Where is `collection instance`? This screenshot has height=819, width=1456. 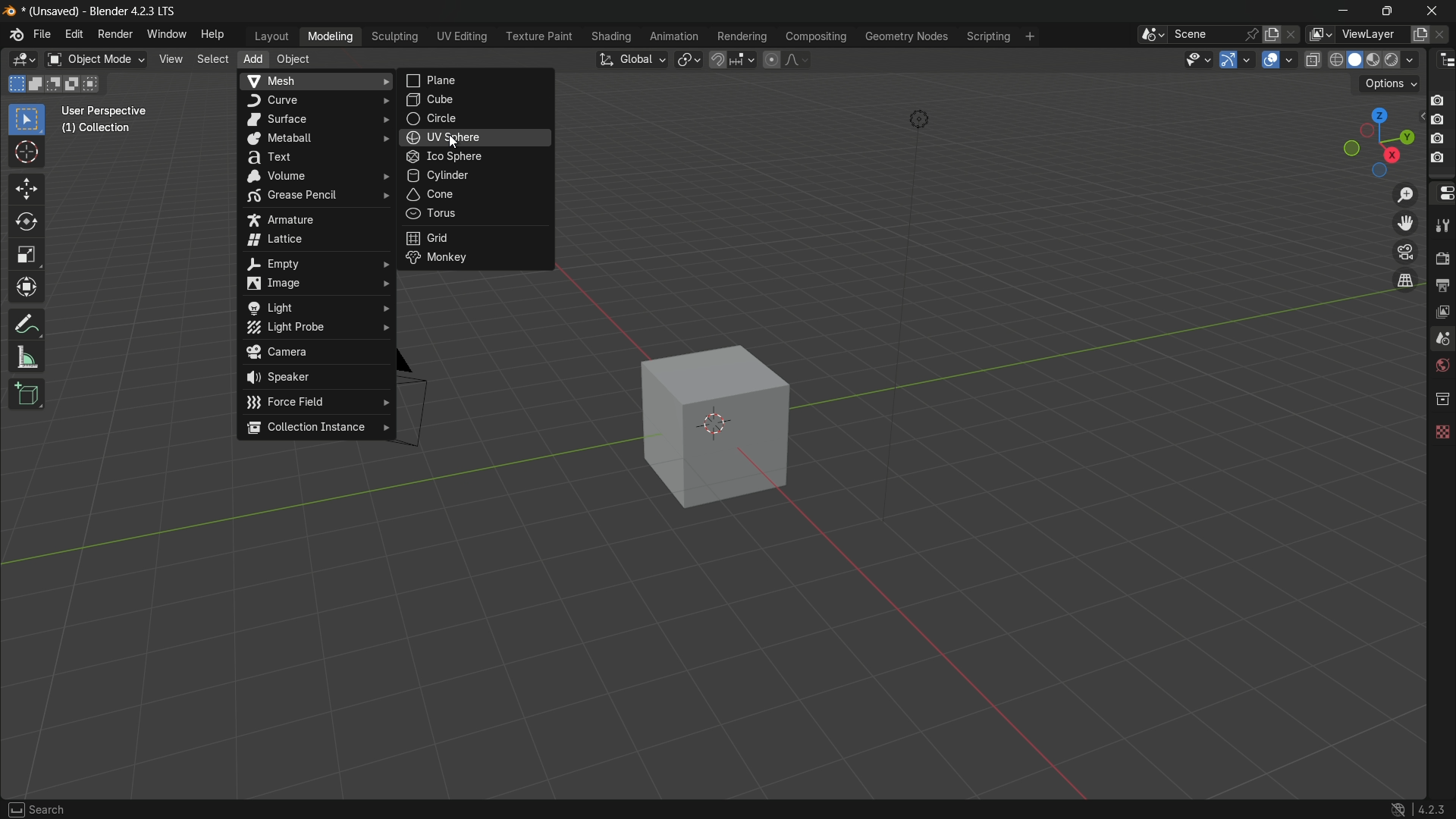 collection instance is located at coordinates (318, 428).